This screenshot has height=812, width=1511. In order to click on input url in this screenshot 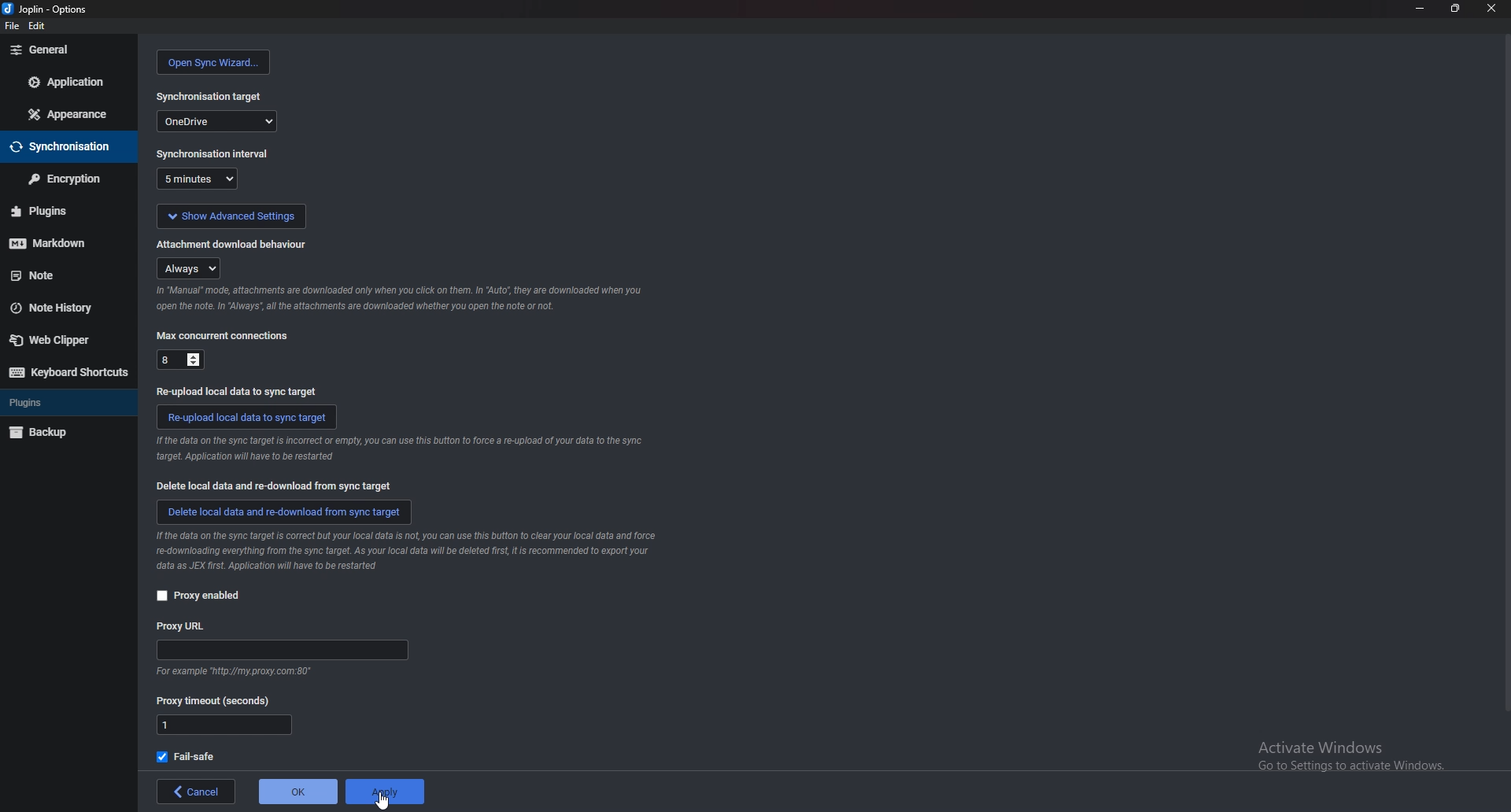, I will do `click(280, 650)`.